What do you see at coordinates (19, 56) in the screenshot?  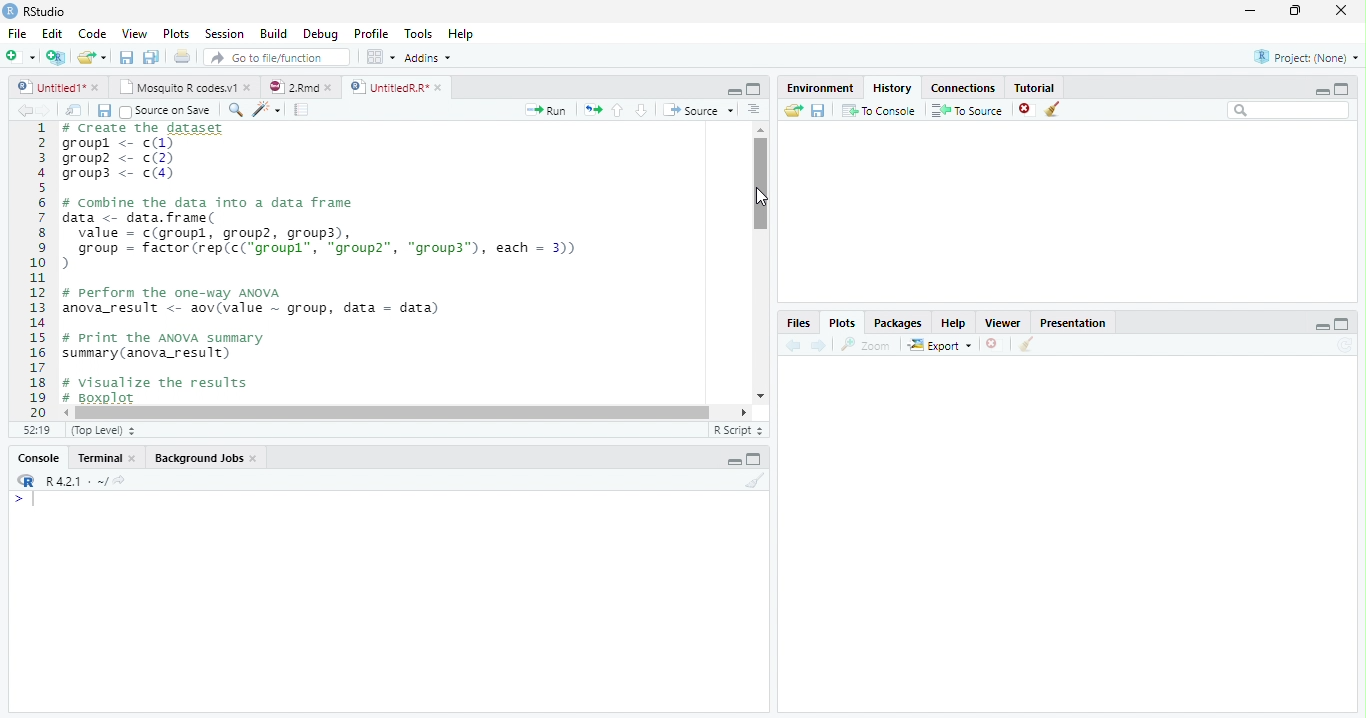 I see `New file` at bounding box center [19, 56].